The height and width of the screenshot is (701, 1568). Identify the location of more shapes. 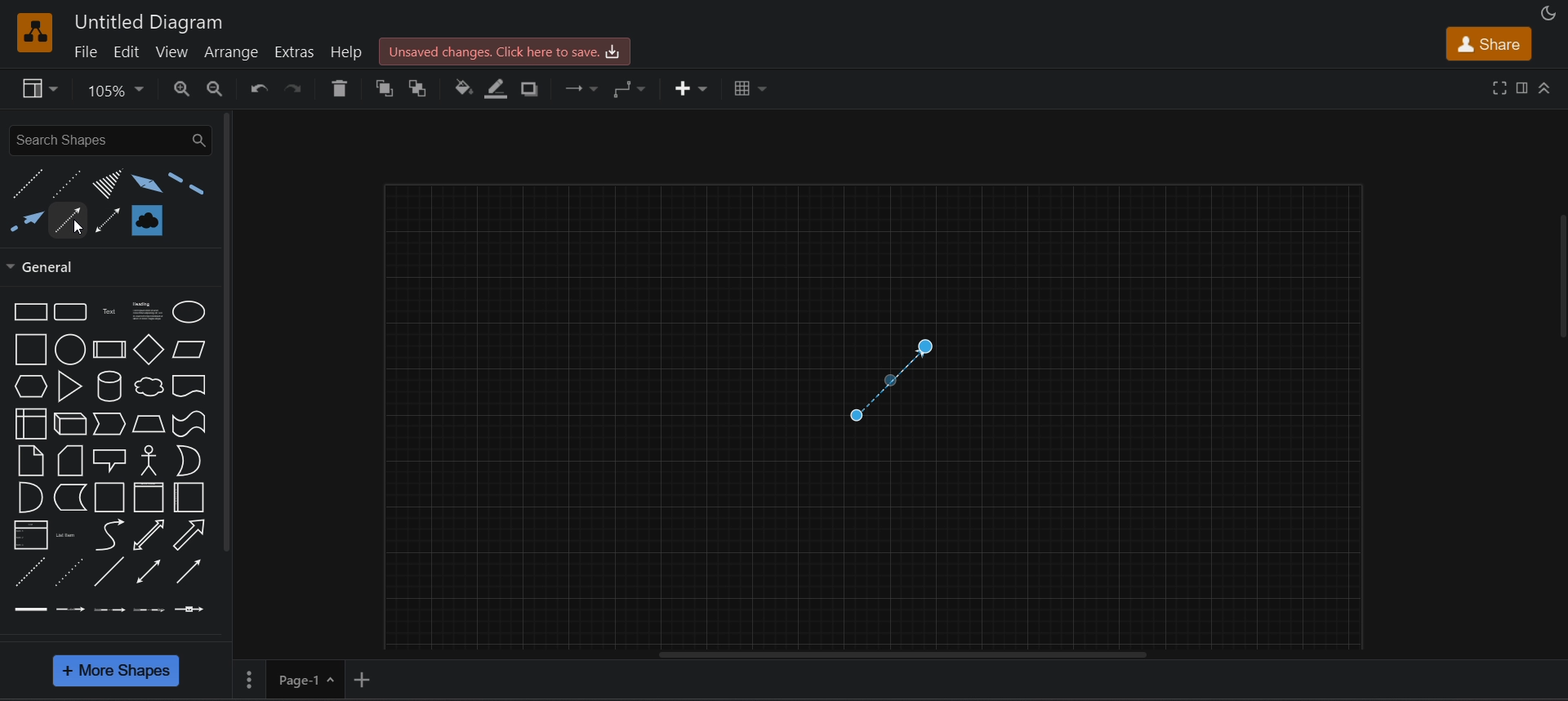
(118, 672).